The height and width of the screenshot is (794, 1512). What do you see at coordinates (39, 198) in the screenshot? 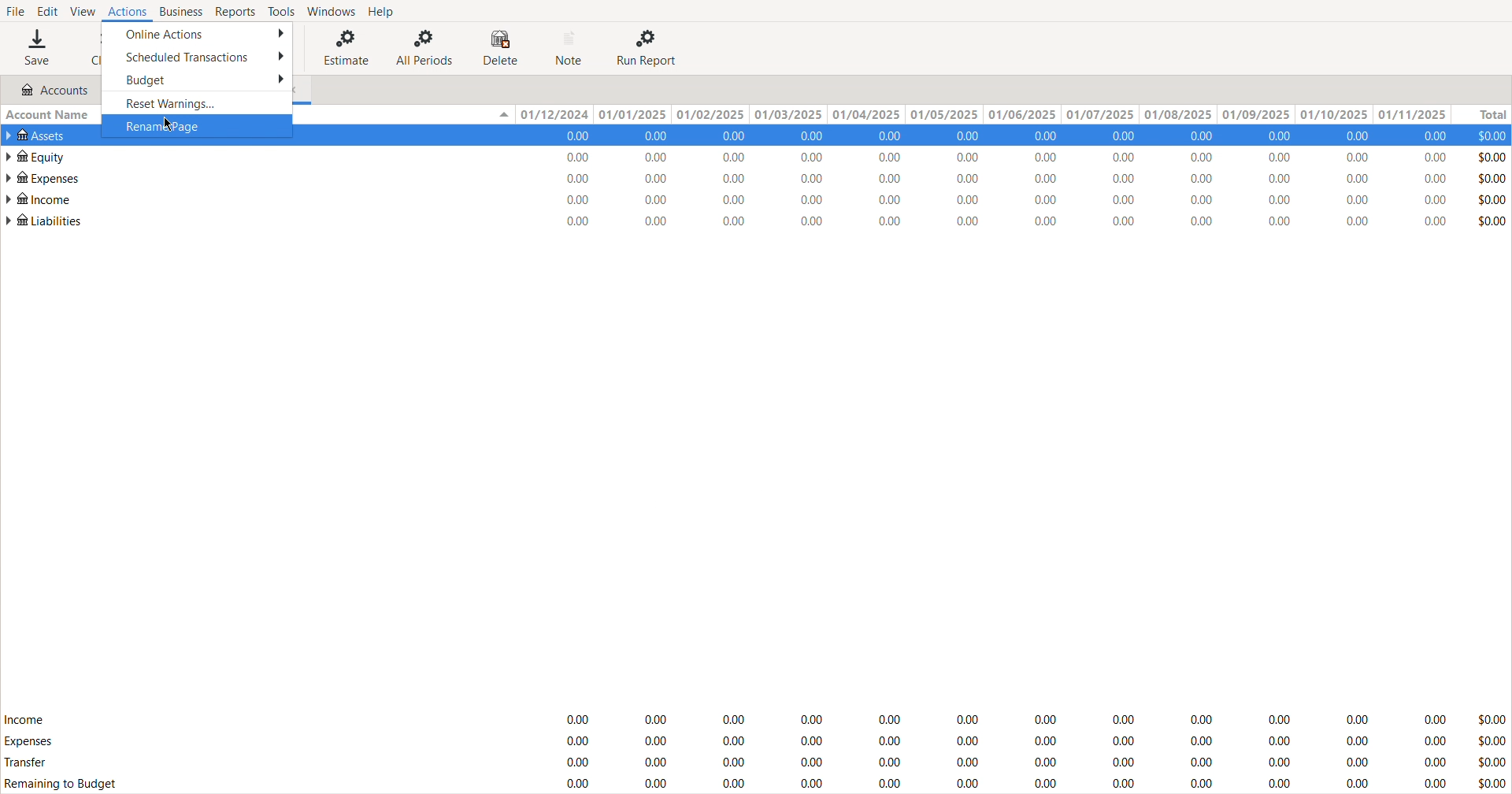
I see `Income` at bounding box center [39, 198].